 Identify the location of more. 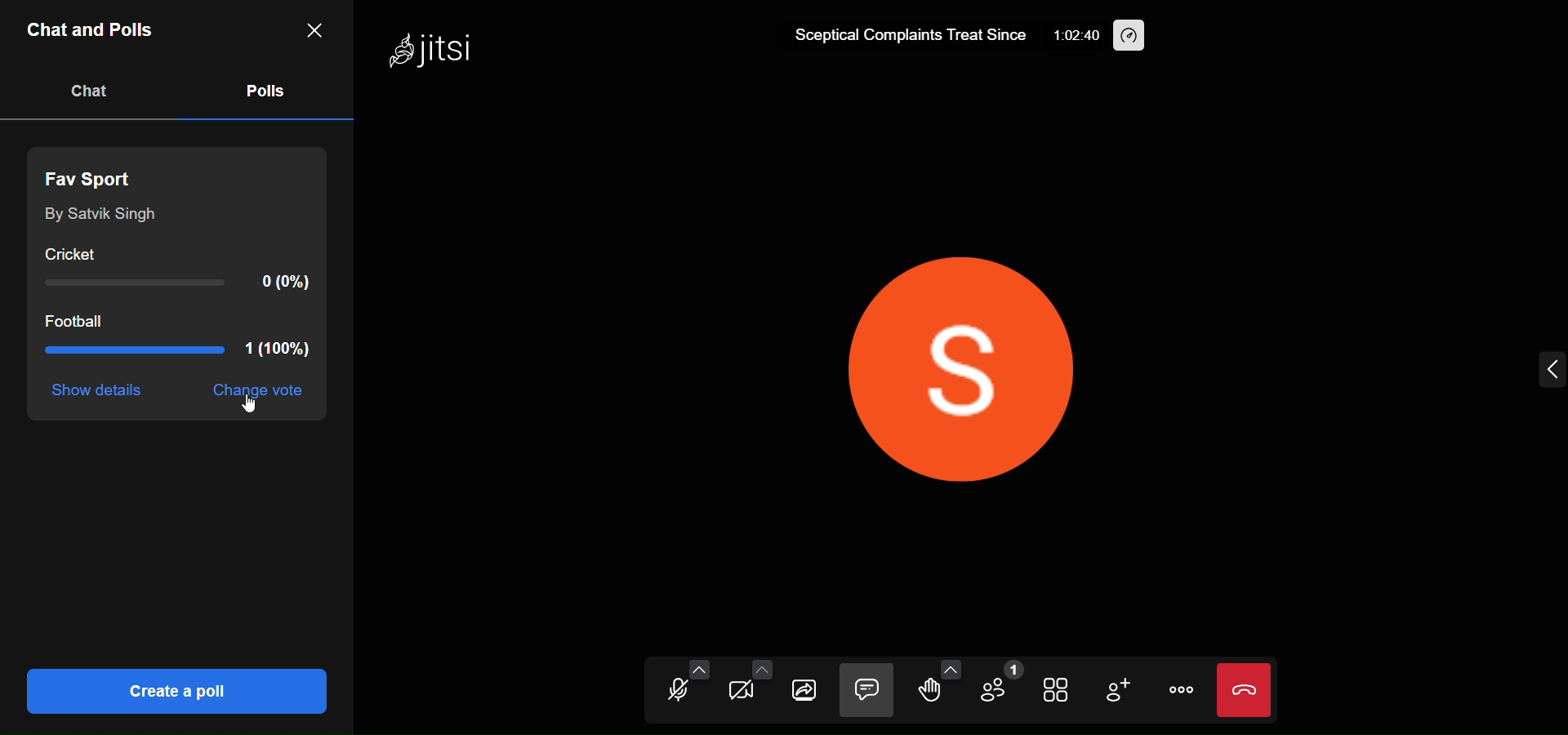
(1178, 689).